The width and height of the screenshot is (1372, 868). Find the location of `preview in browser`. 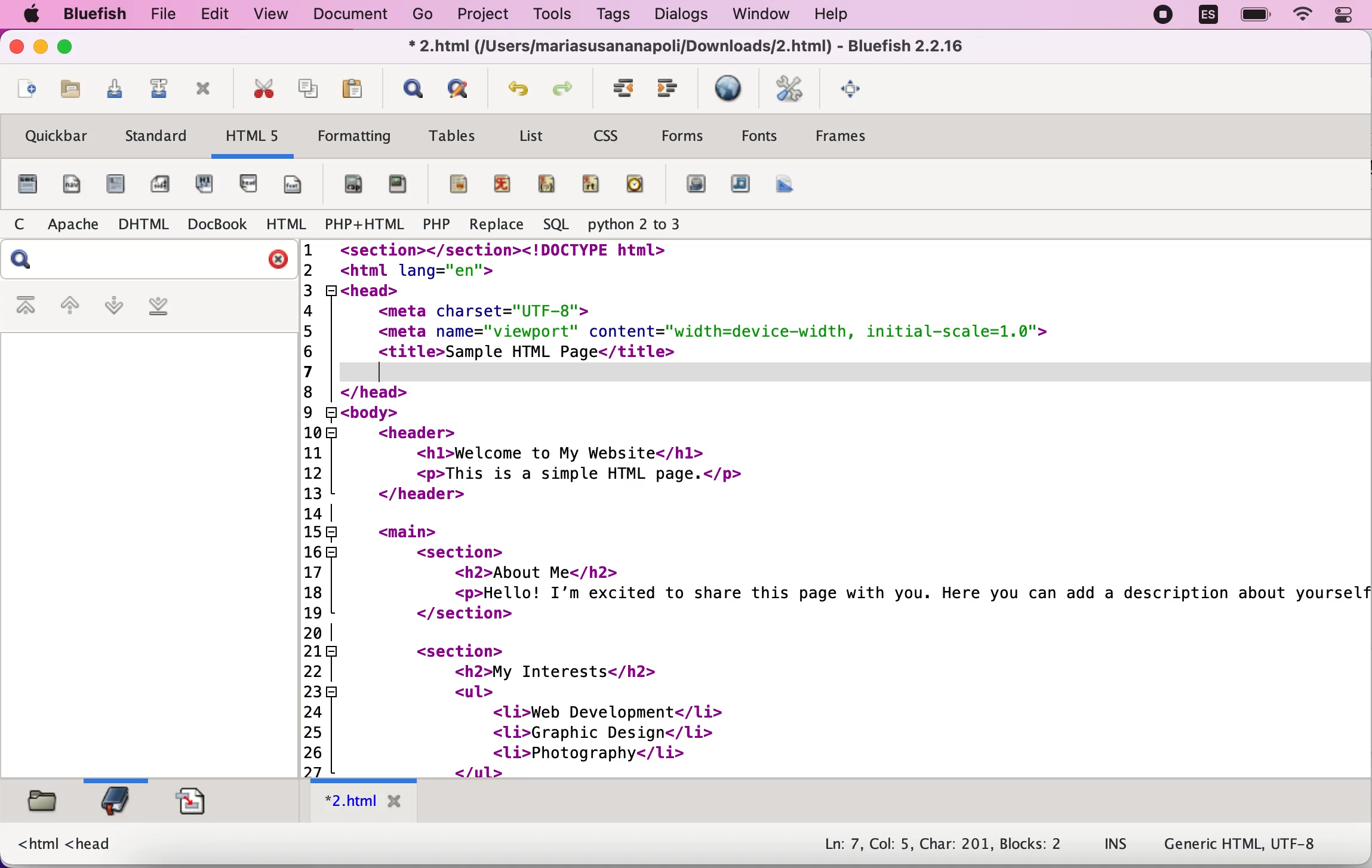

preview in browser is located at coordinates (730, 90).